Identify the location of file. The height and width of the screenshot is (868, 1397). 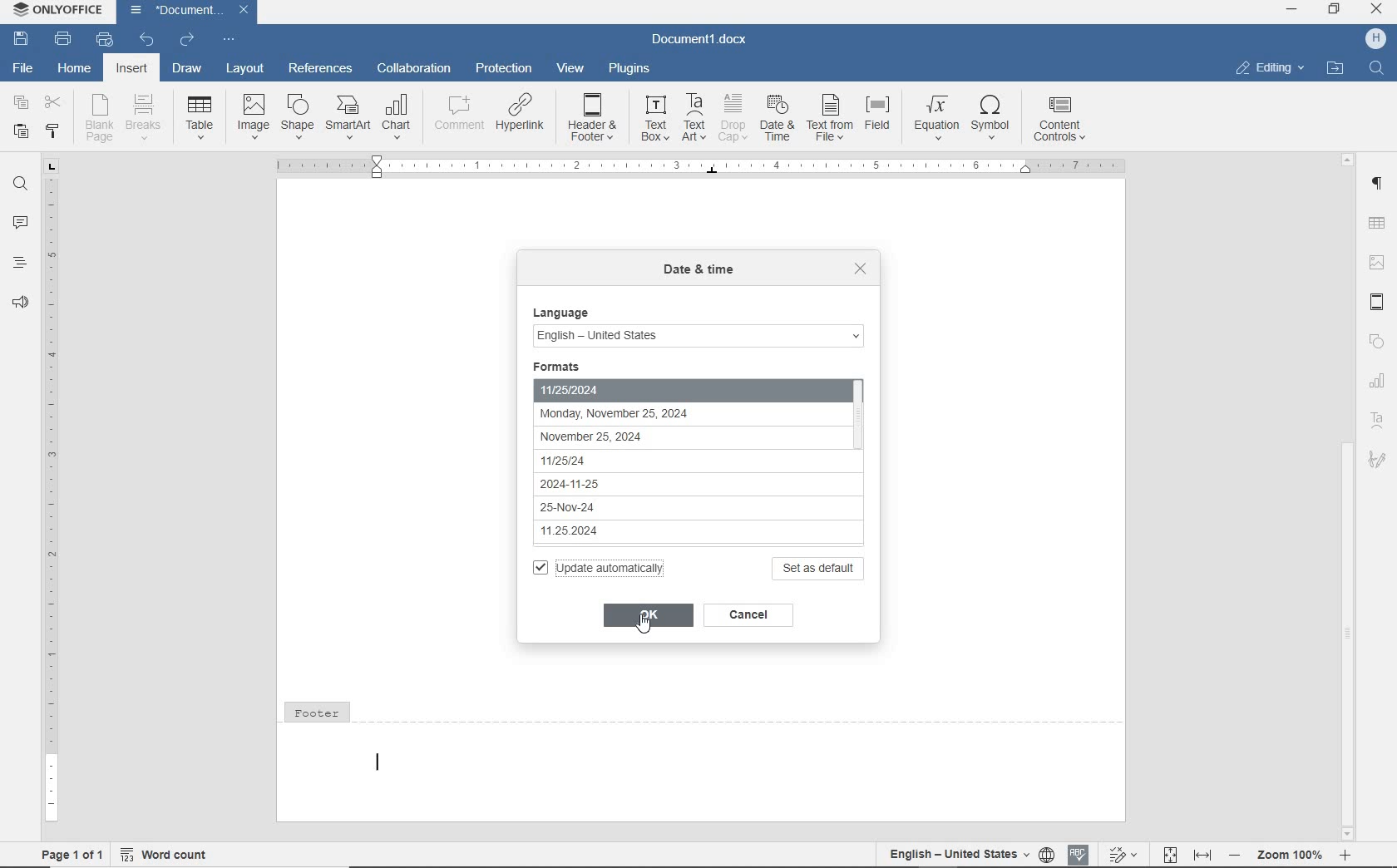
(24, 69).